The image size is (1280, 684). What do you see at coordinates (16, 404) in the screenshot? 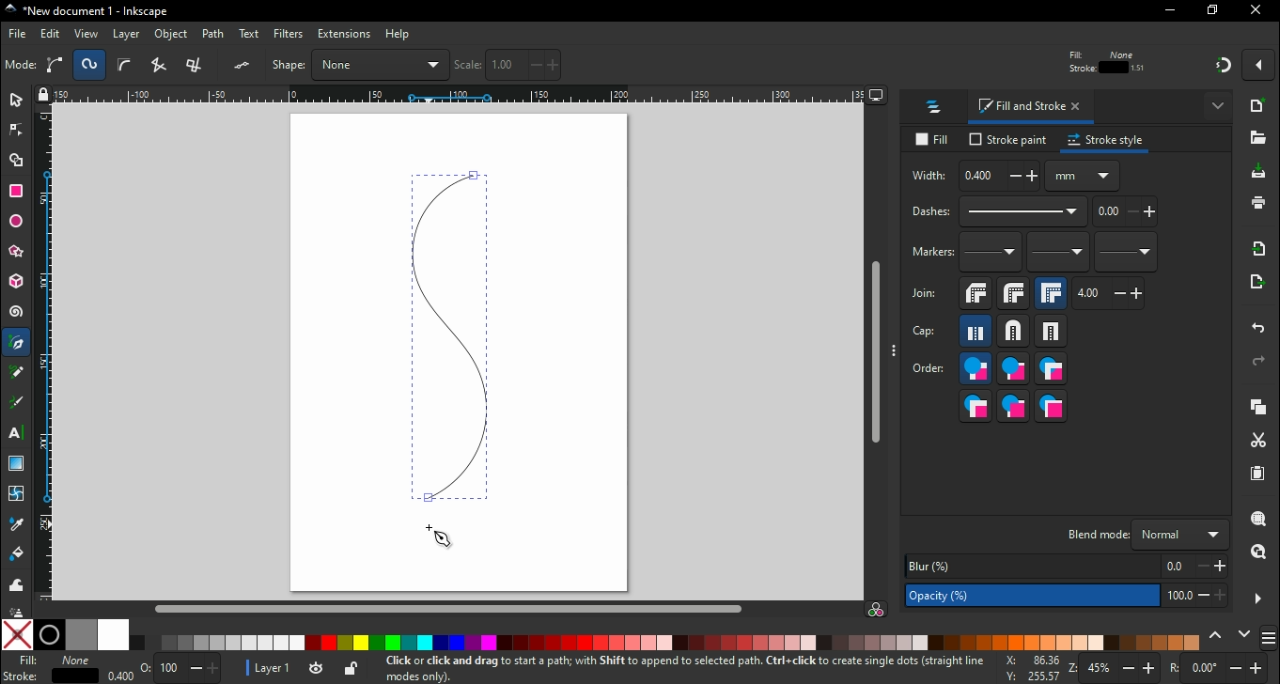
I see `calligraphy tool` at bounding box center [16, 404].